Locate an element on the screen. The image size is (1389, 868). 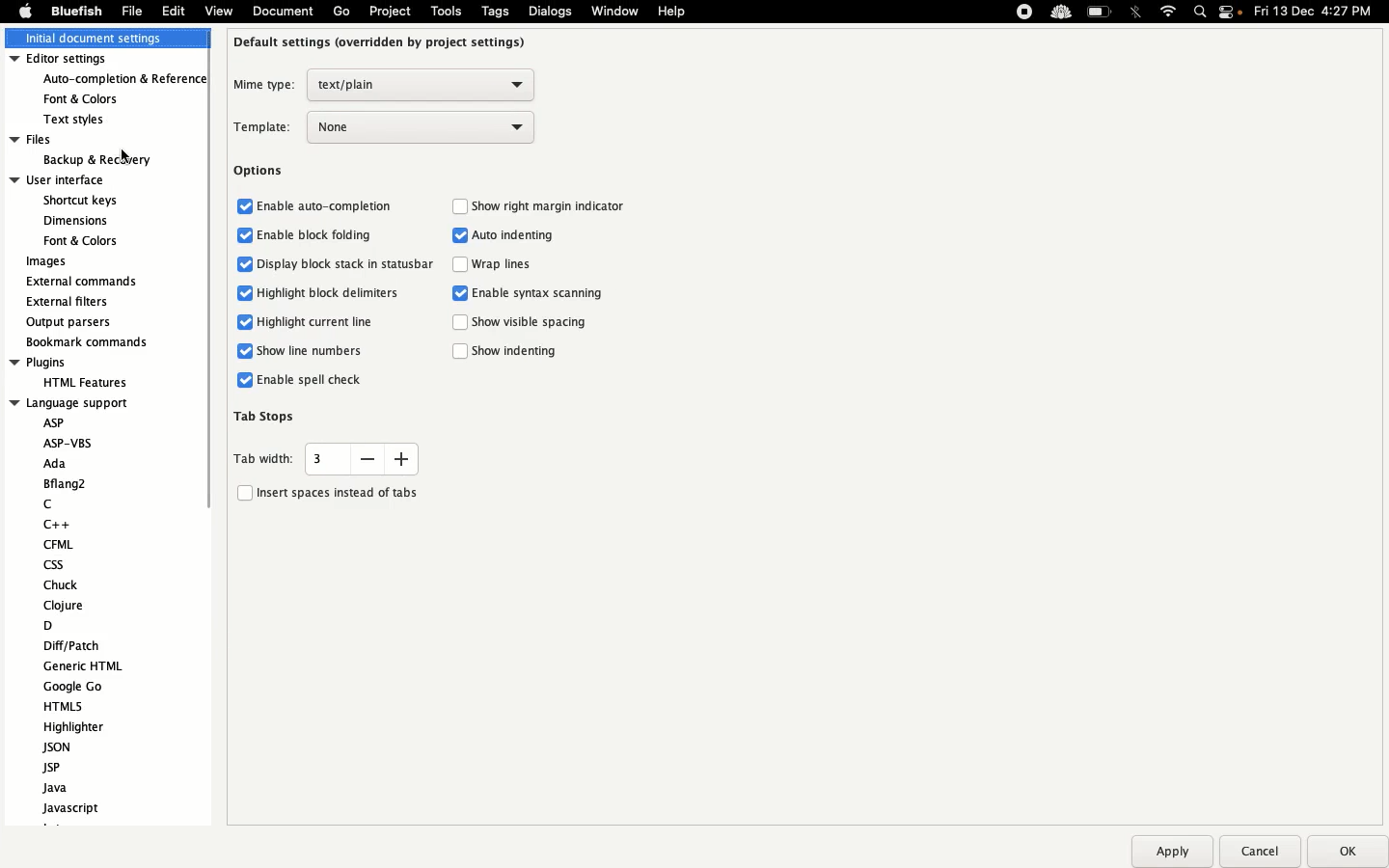
Language support is located at coordinates (84, 613).